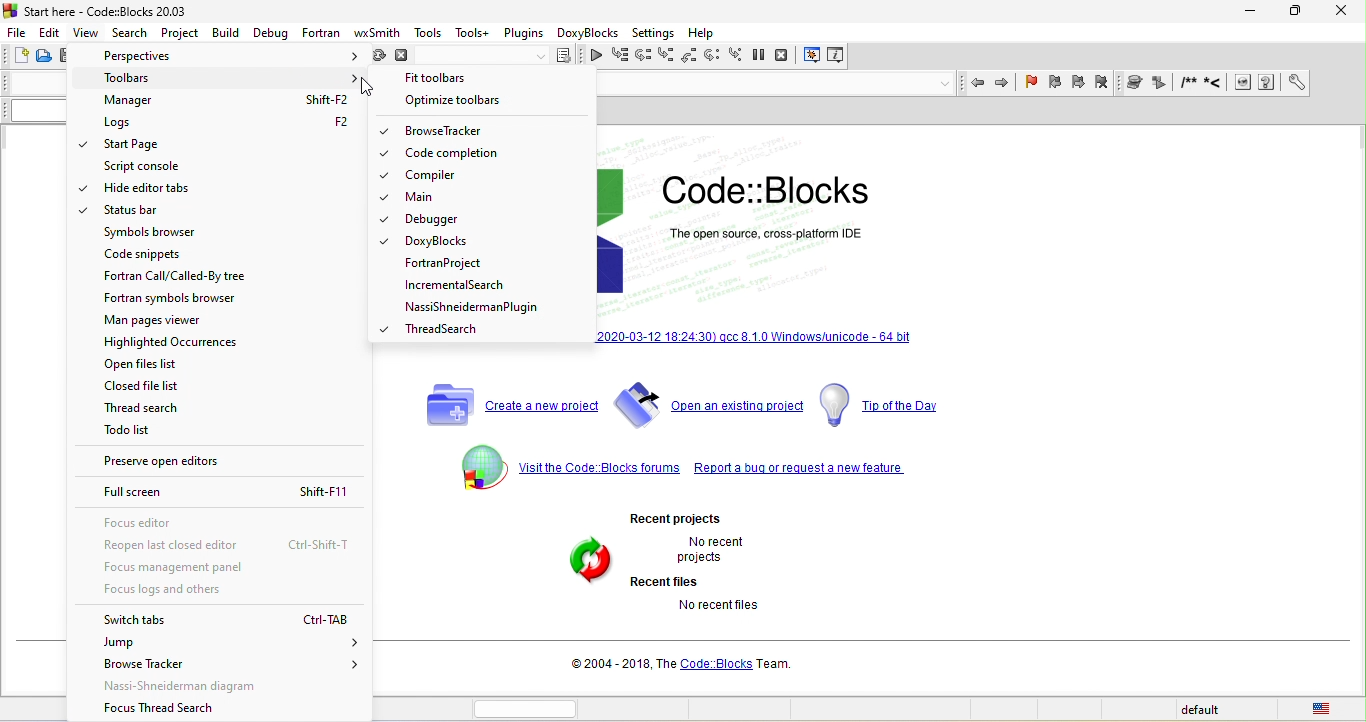 This screenshot has width=1366, height=722. Describe the element at coordinates (229, 56) in the screenshot. I see `perspectives` at that location.